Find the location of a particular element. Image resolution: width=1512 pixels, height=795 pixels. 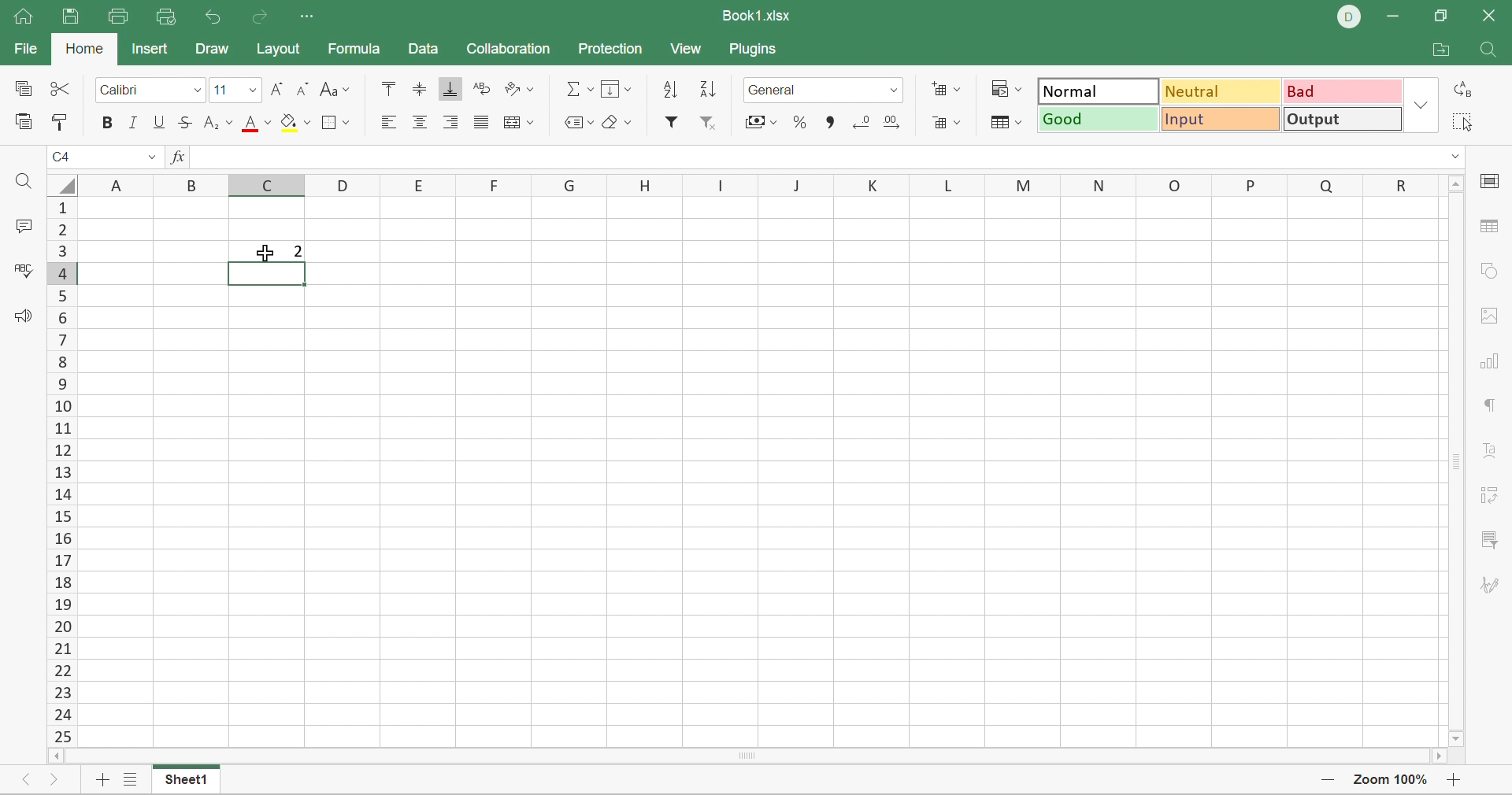

Fill color is located at coordinates (295, 123).